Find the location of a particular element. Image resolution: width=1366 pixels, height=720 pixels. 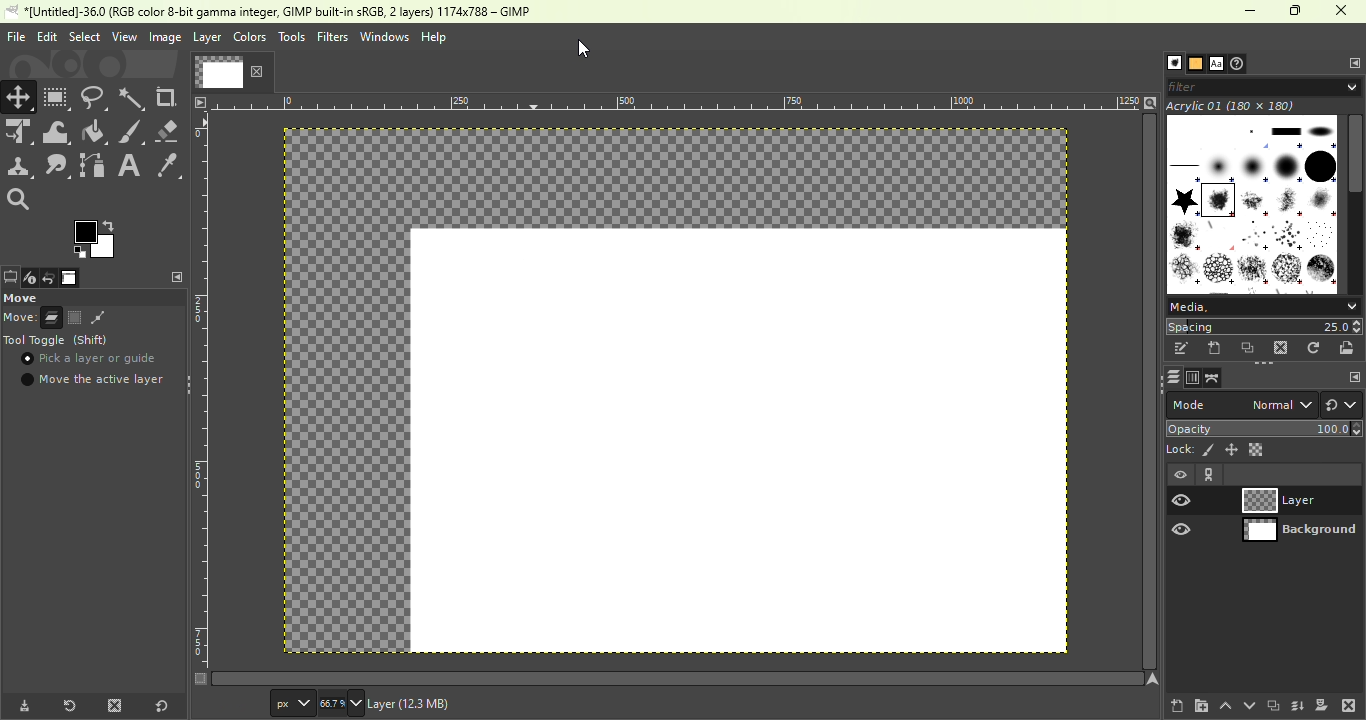

Text tool is located at coordinates (130, 164).